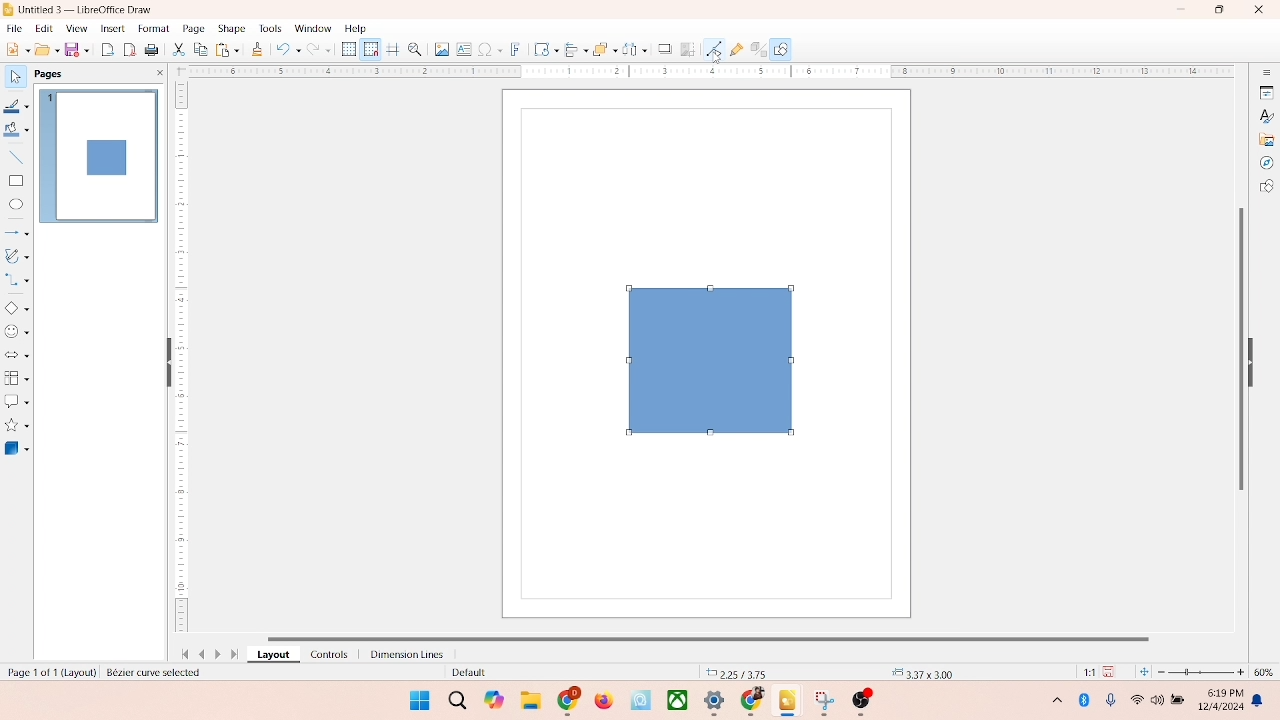 The height and width of the screenshot is (720, 1280). Describe the element at coordinates (156, 73) in the screenshot. I see `close` at that location.